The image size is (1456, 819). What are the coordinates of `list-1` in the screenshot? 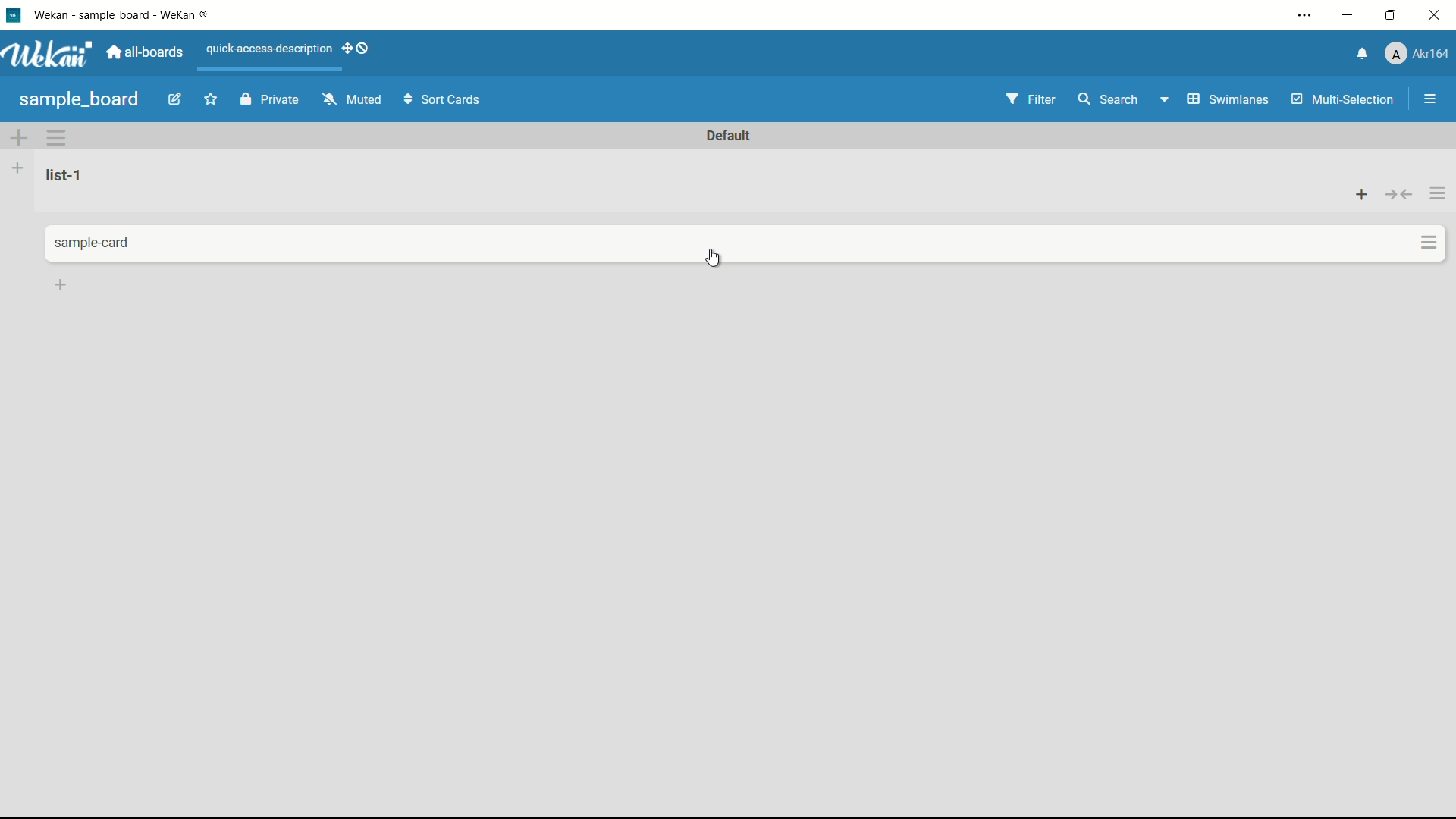 It's located at (67, 174).